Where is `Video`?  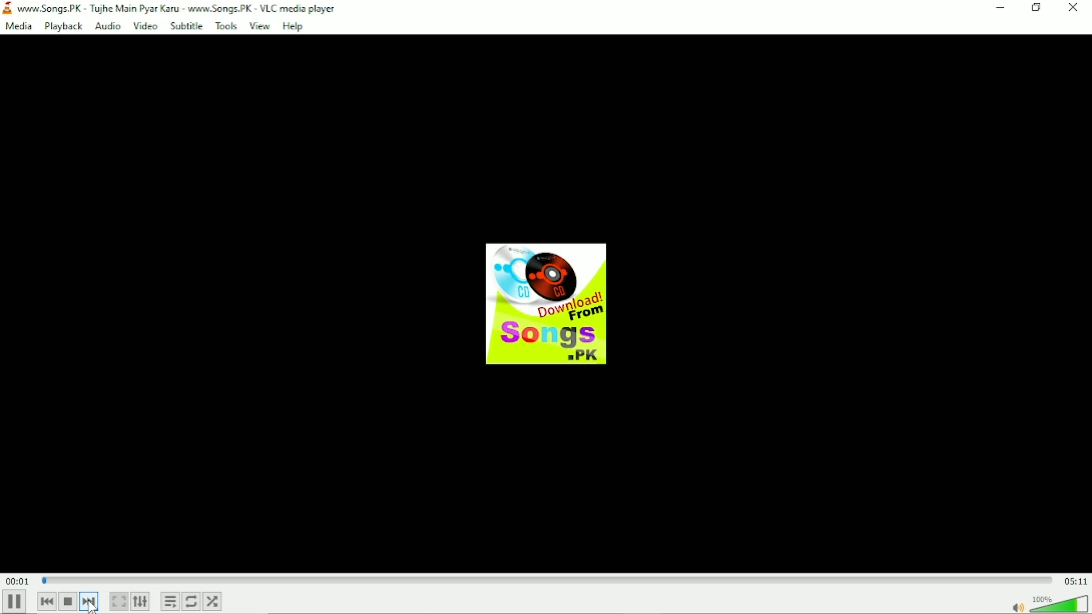
Video is located at coordinates (144, 26).